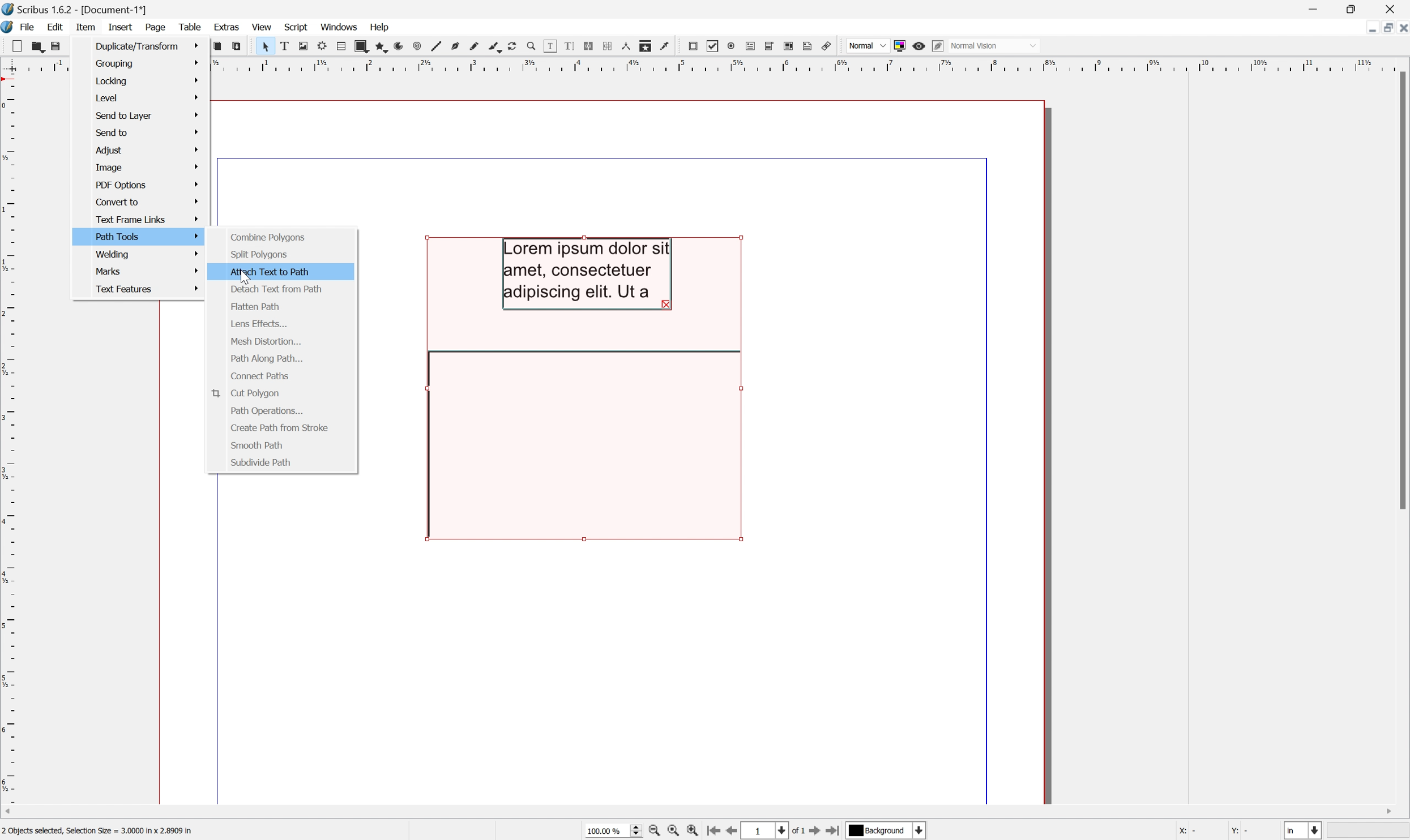 The width and height of the screenshot is (1410, 840). What do you see at coordinates (589, 274) in the screenshot?
I see `Lorem ipsum dolor sit amet, consectetuer adipiscing elit, Ut a` at bounding box center [589, 274].